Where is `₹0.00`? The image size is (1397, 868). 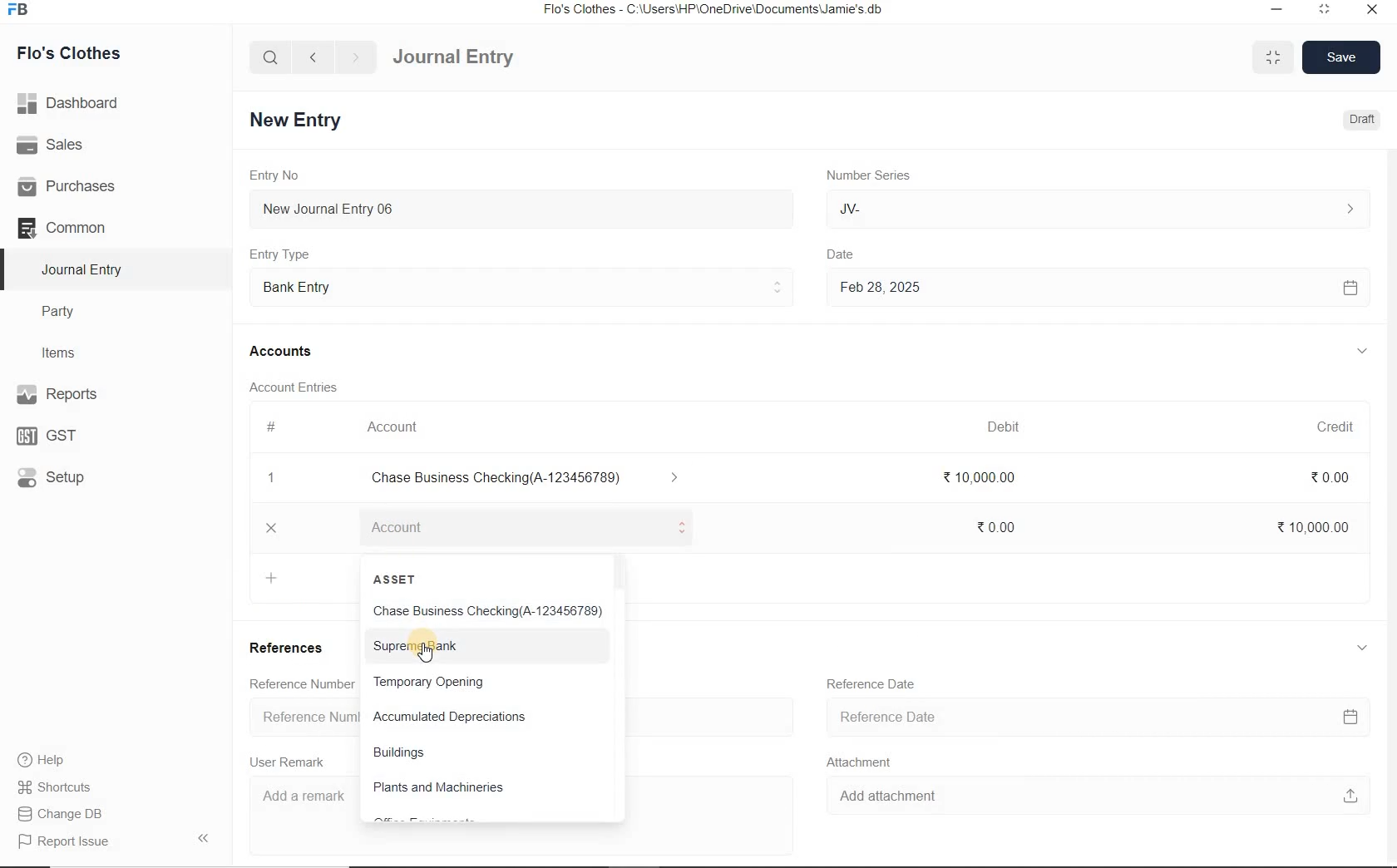
₹0.00 is located at coordinates (997, 525).